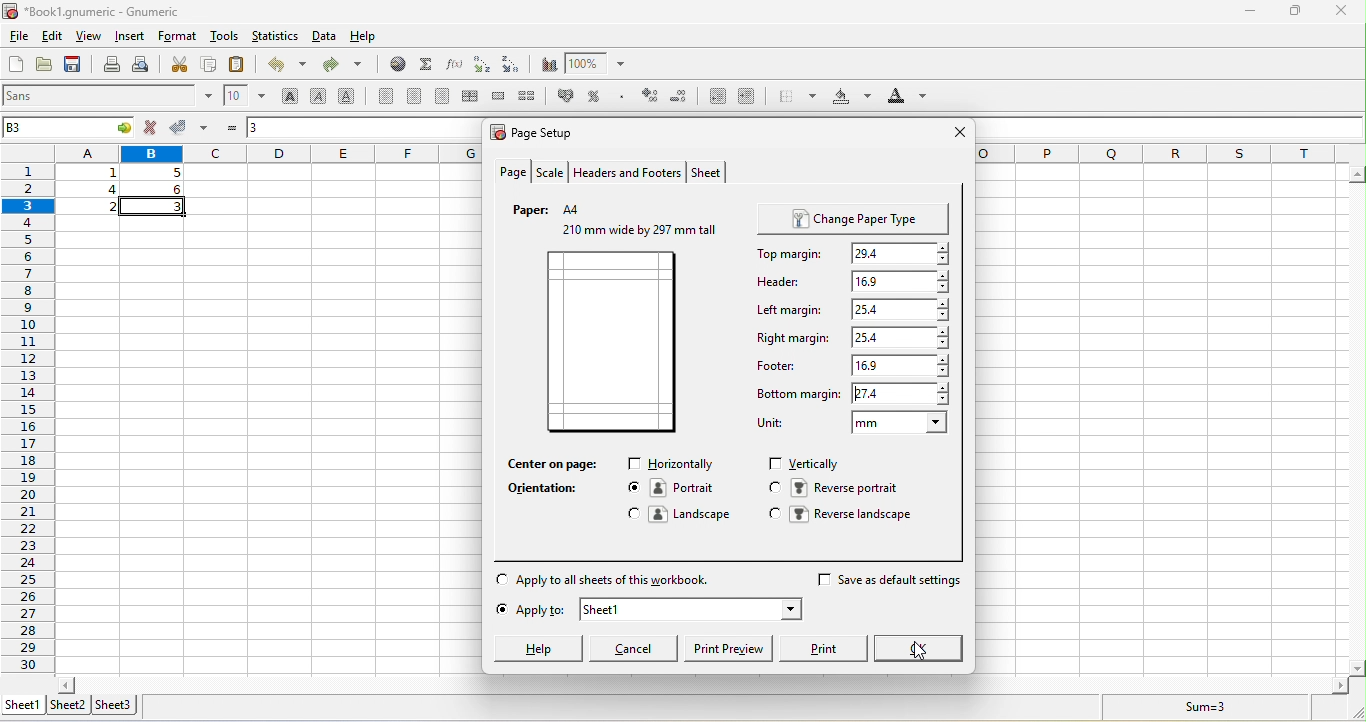 This screenshot has height=722, width=1366. I want to click on print preview, so click(732, 650).